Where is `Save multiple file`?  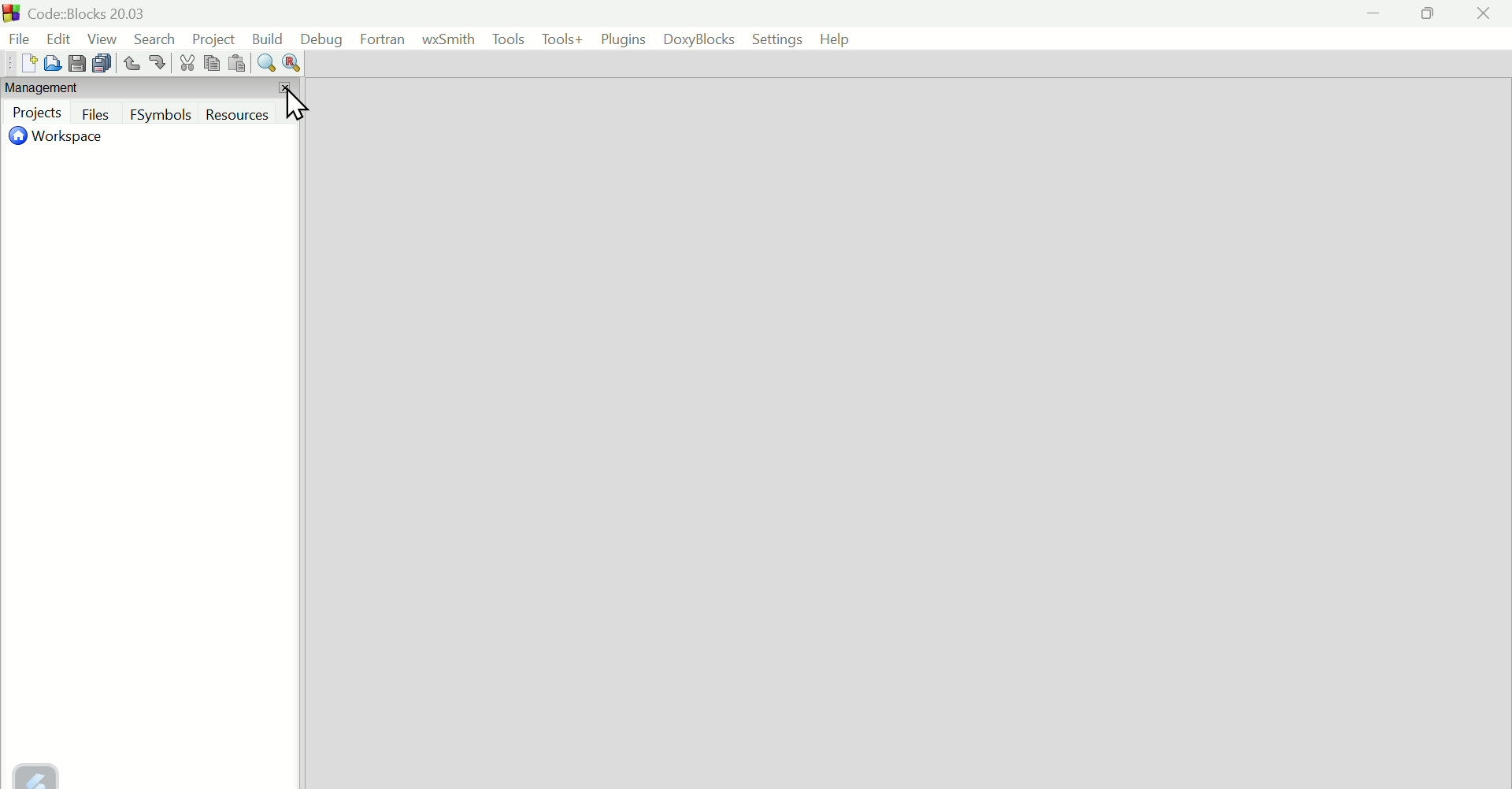
Save multiple file is located at coordinates (103, 62).